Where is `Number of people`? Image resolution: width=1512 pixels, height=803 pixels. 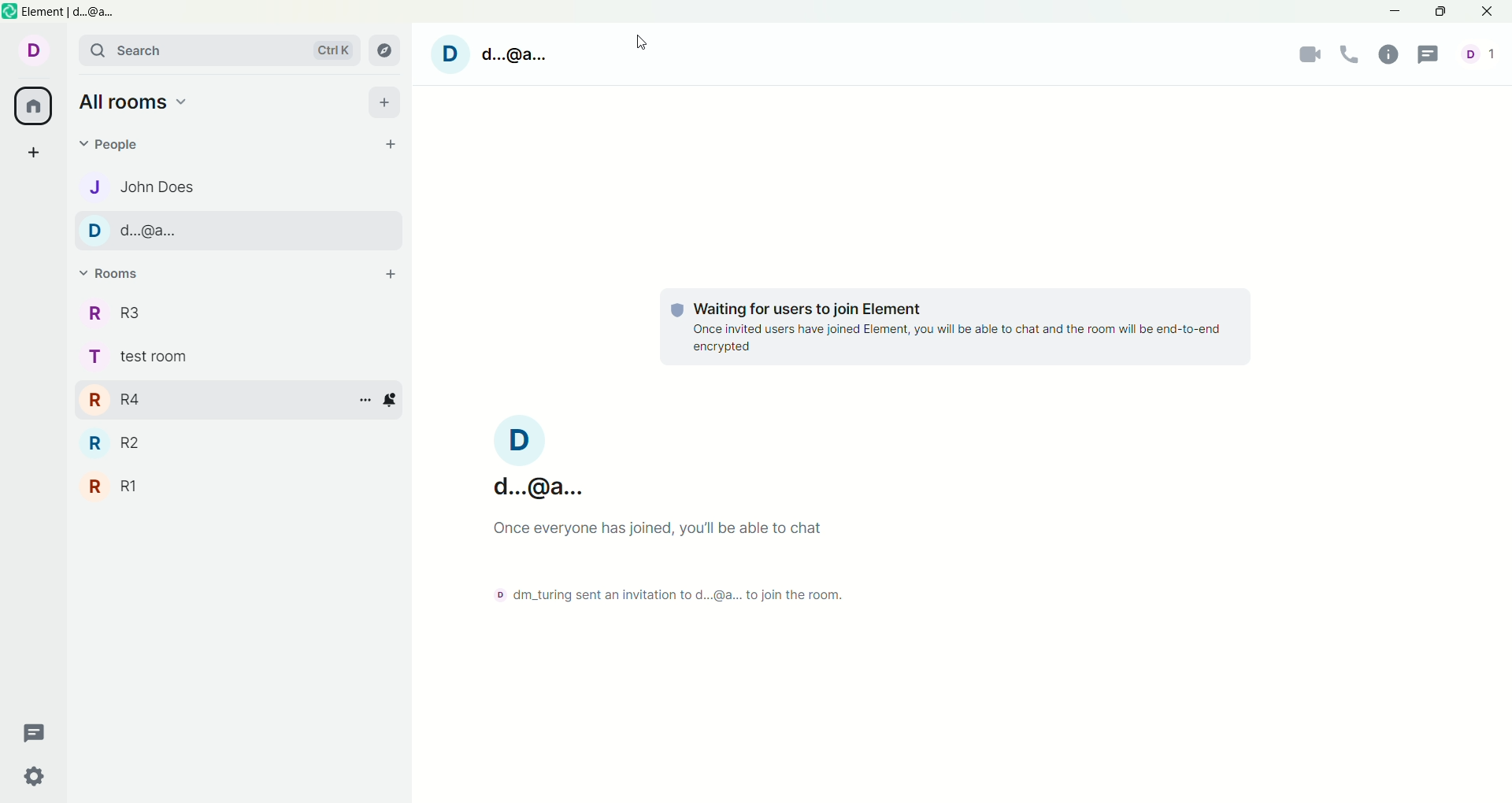 Number of people is located at coordinates (1484, 54).